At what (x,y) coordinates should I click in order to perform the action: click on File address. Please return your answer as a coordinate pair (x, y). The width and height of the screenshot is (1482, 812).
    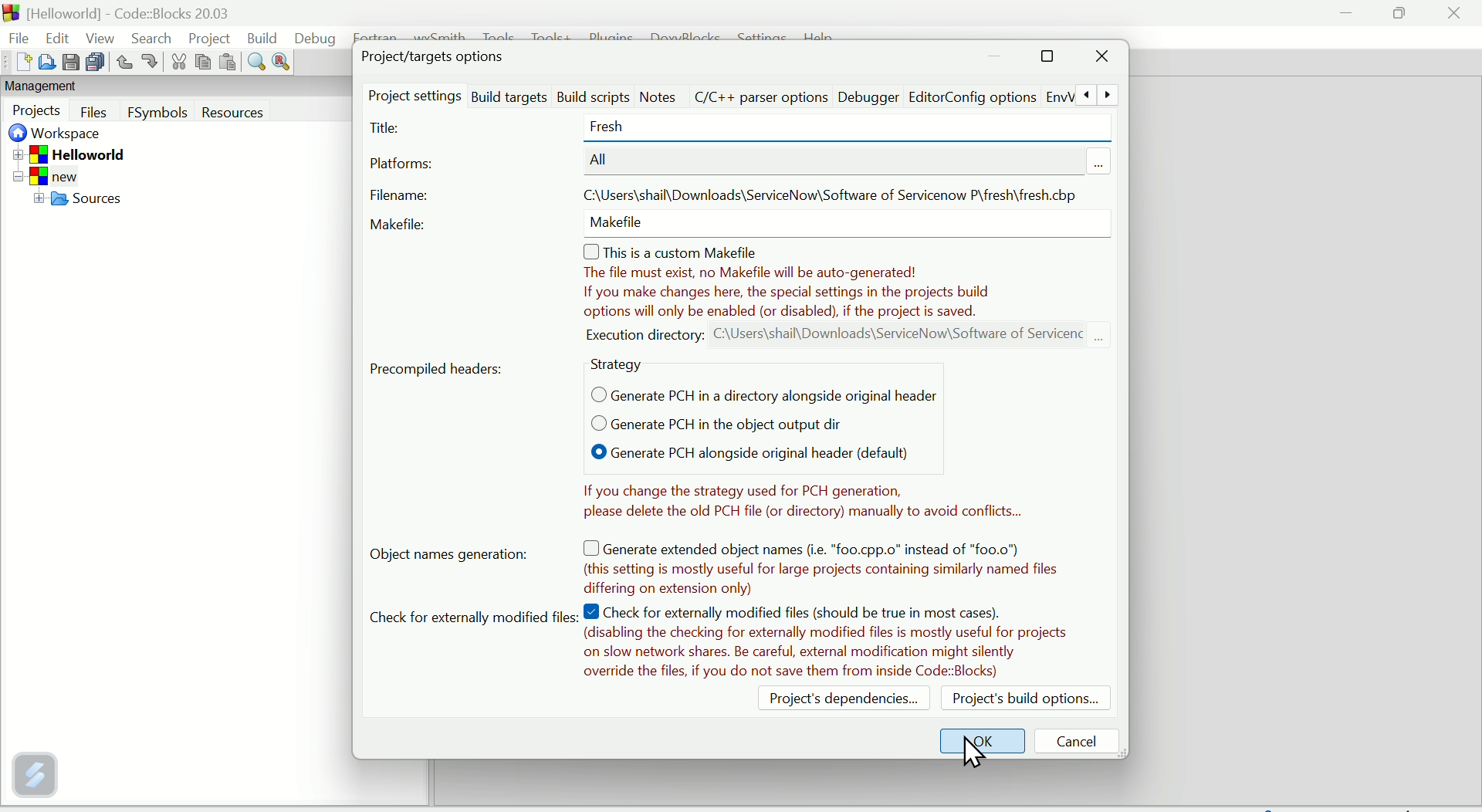
    Looking at the image, I should click on (831, 191).